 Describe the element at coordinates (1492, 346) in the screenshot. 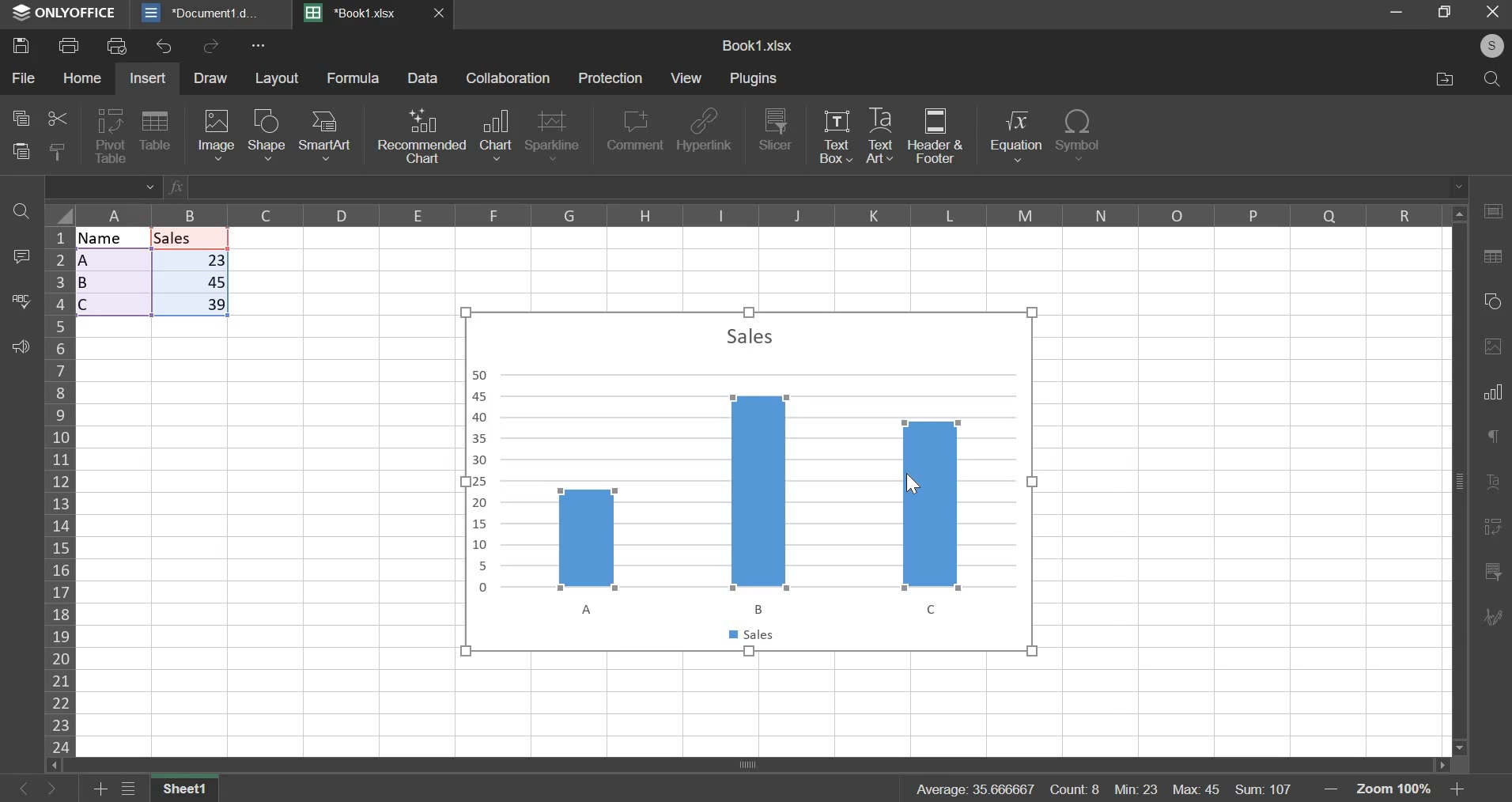

I see `Image Tool` at that location.